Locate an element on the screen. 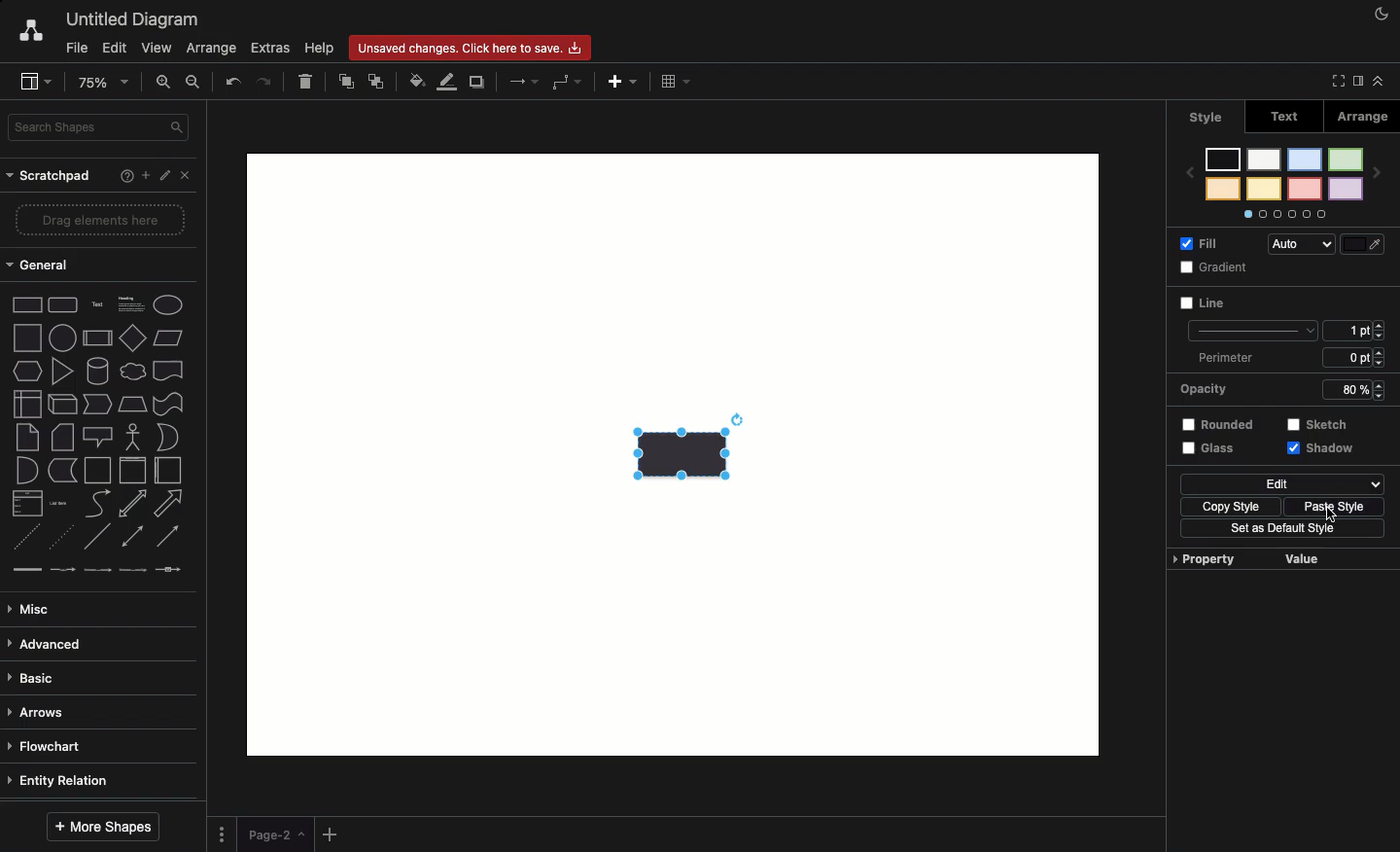 Image resolution: width=1400 pixels, height=852 pixels. Glass is located at coordinates (1209, 448).